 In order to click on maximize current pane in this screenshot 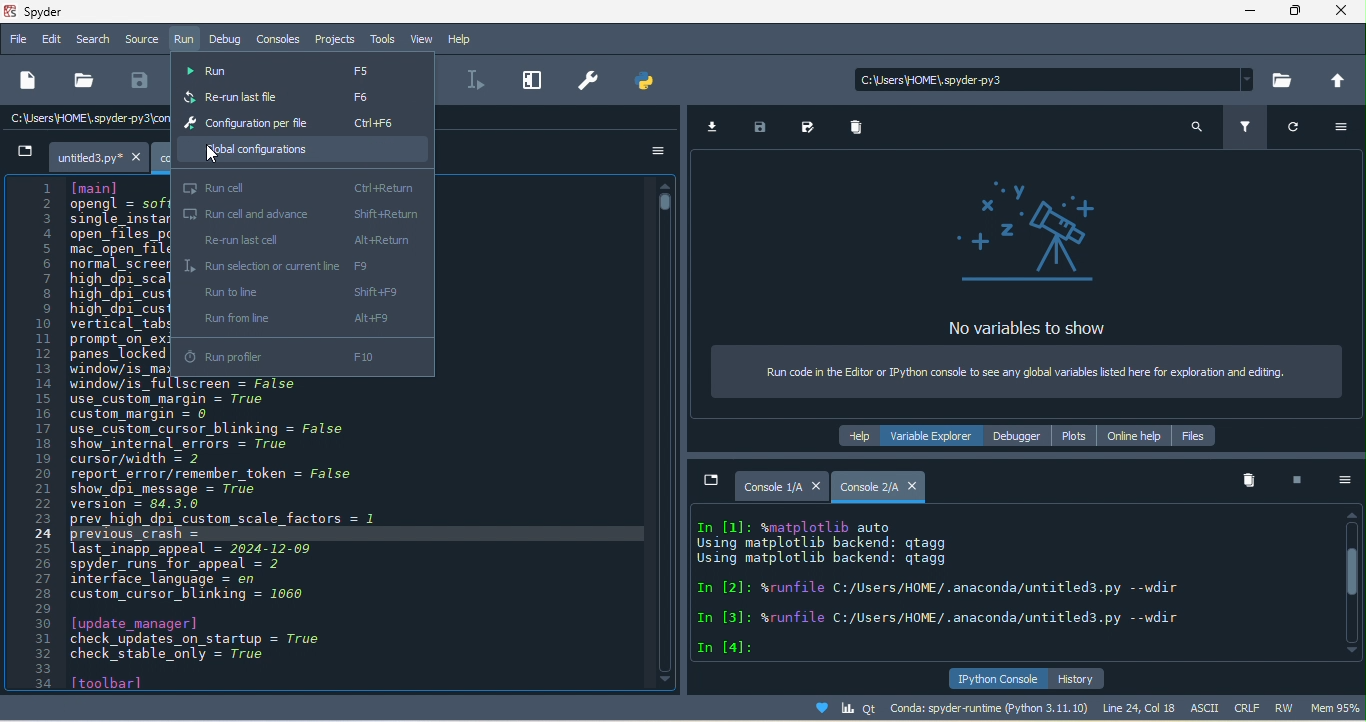, I will do `click(530, 81)`.